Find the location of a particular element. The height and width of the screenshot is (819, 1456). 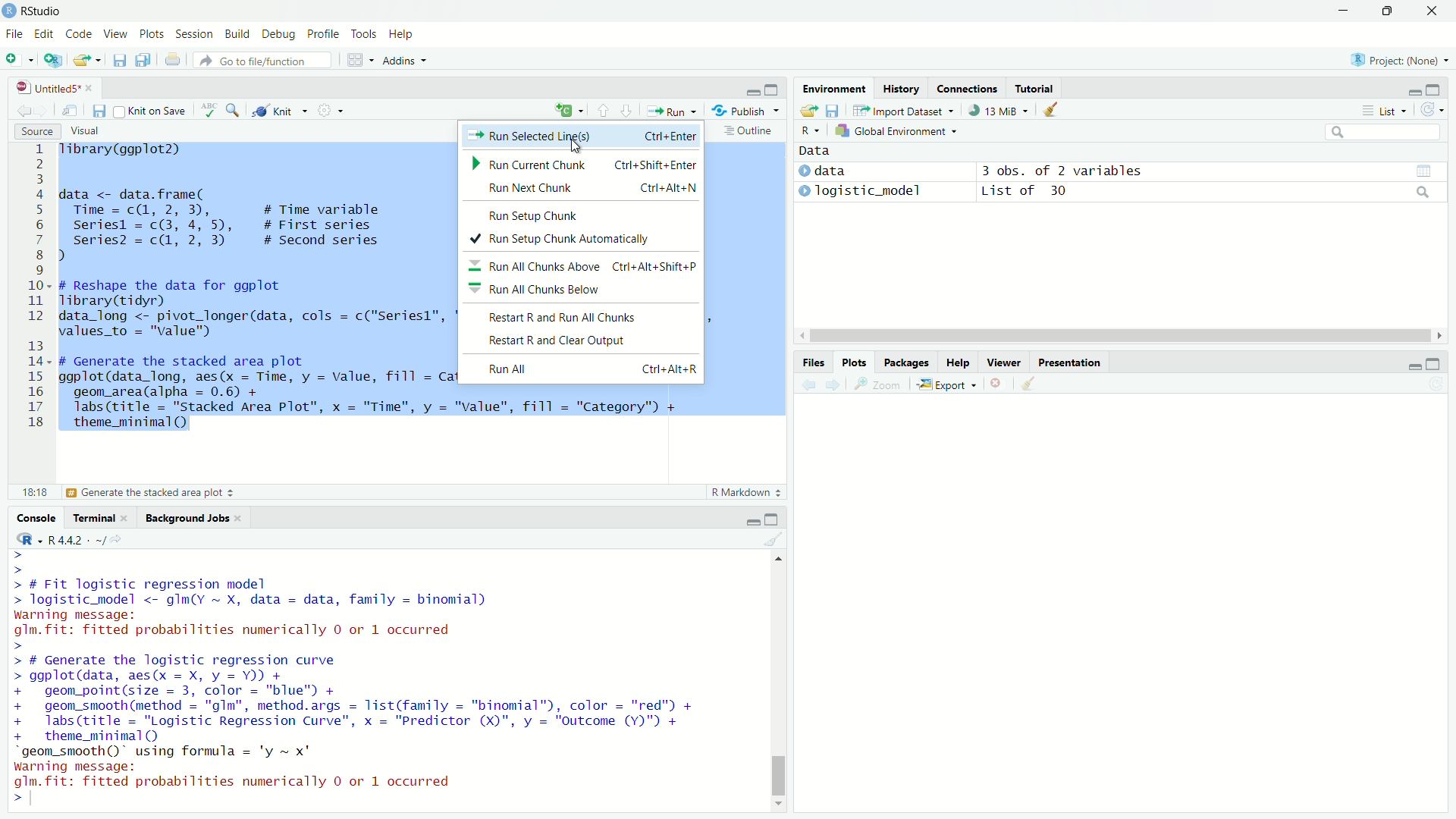

scroll bar is located at coordinates (1117, 337).